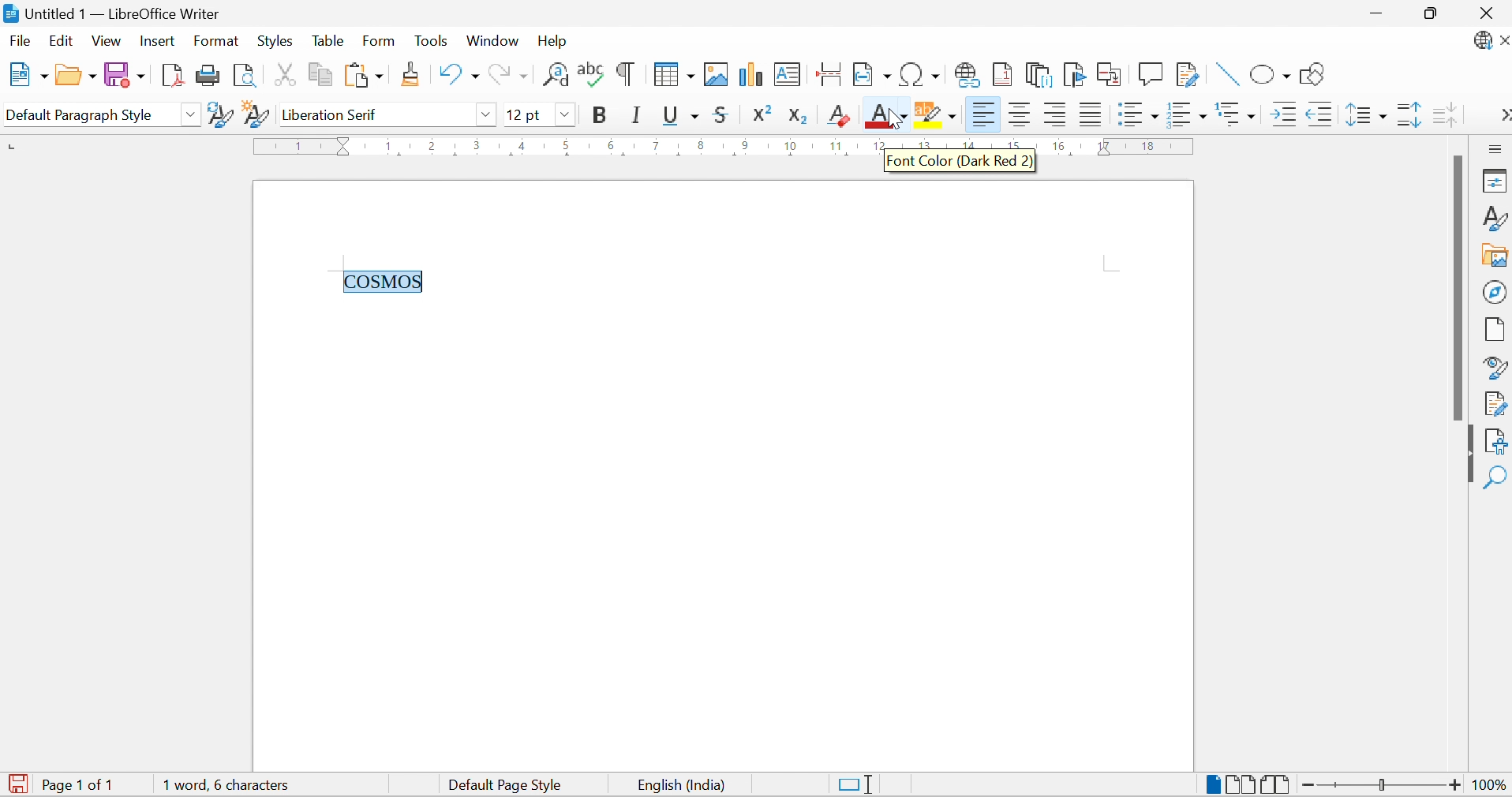 The width and height of the screenshot is (1512, 797). I want to click on Style Inspector, so click(1496, 368).